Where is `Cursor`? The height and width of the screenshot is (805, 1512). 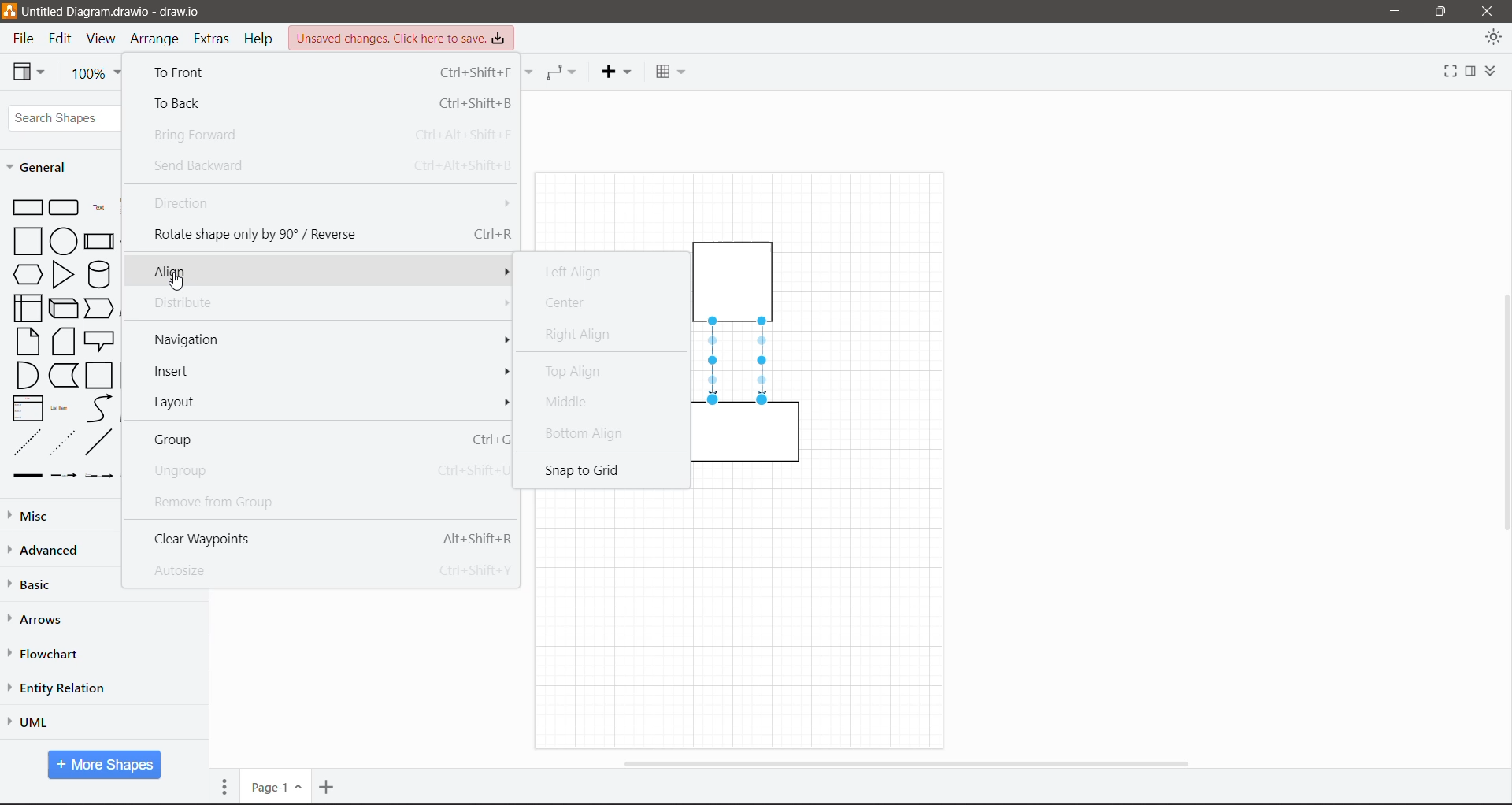 Cursor is located at coordinates (186, 283).